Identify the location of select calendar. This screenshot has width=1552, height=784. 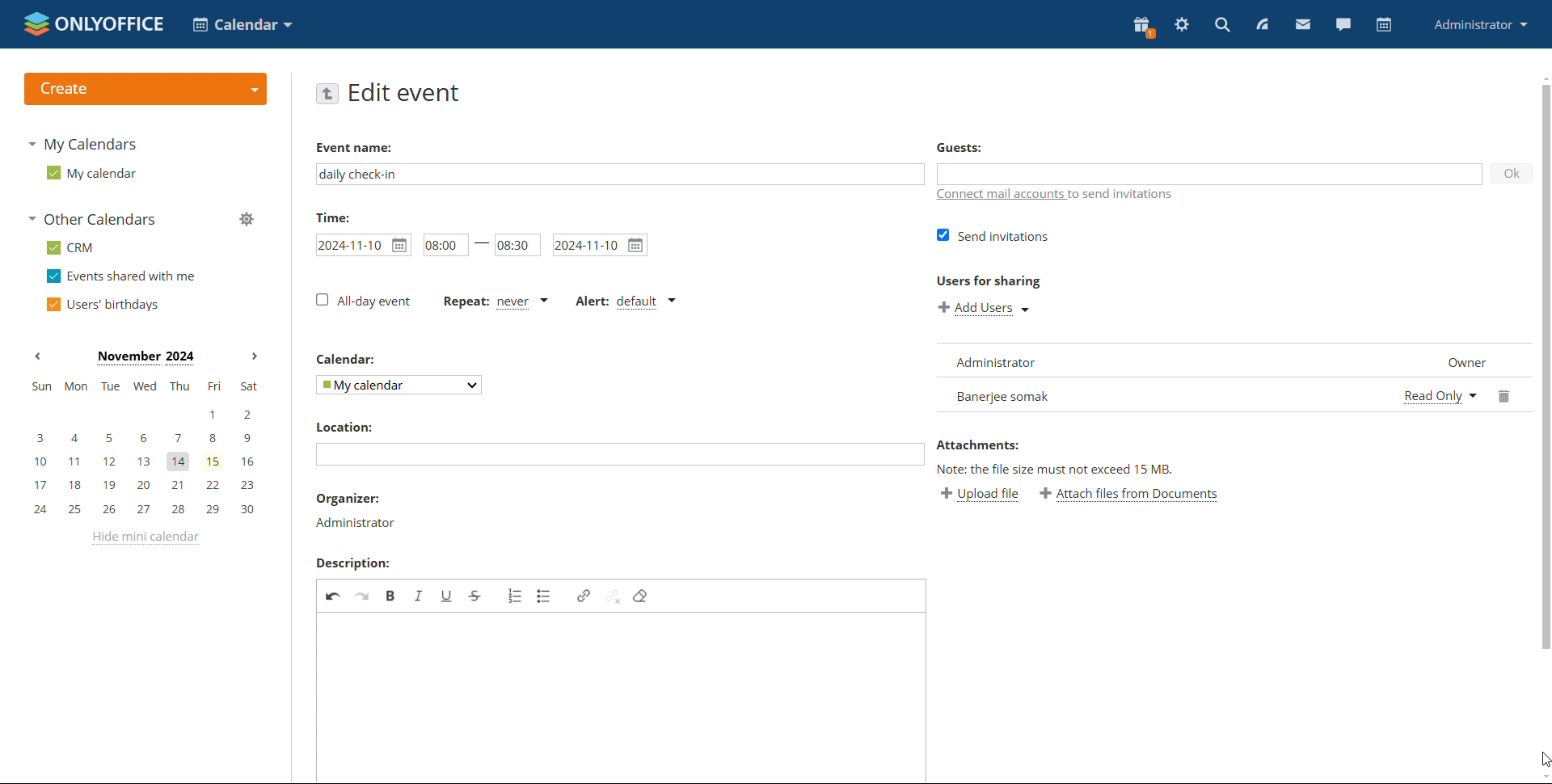
(400, 386).